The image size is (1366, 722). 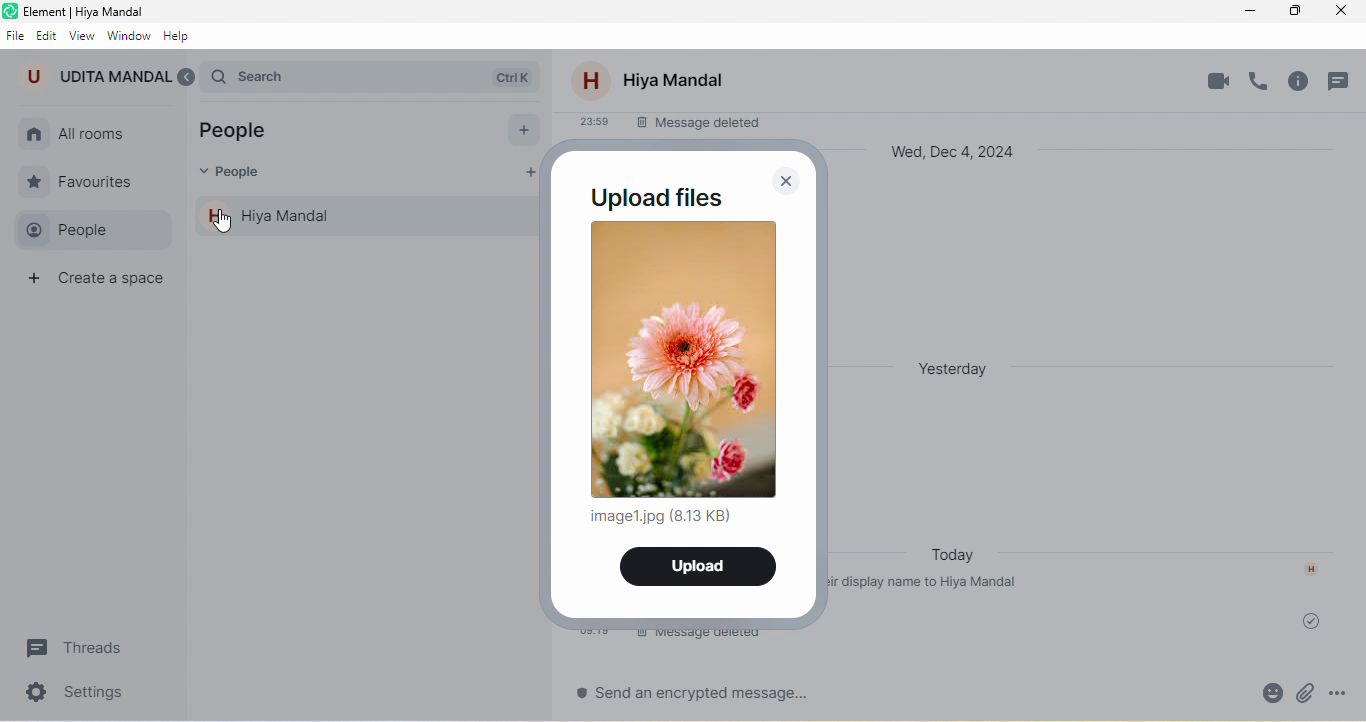 I want to click on more option, so click(x=1347, y=693).